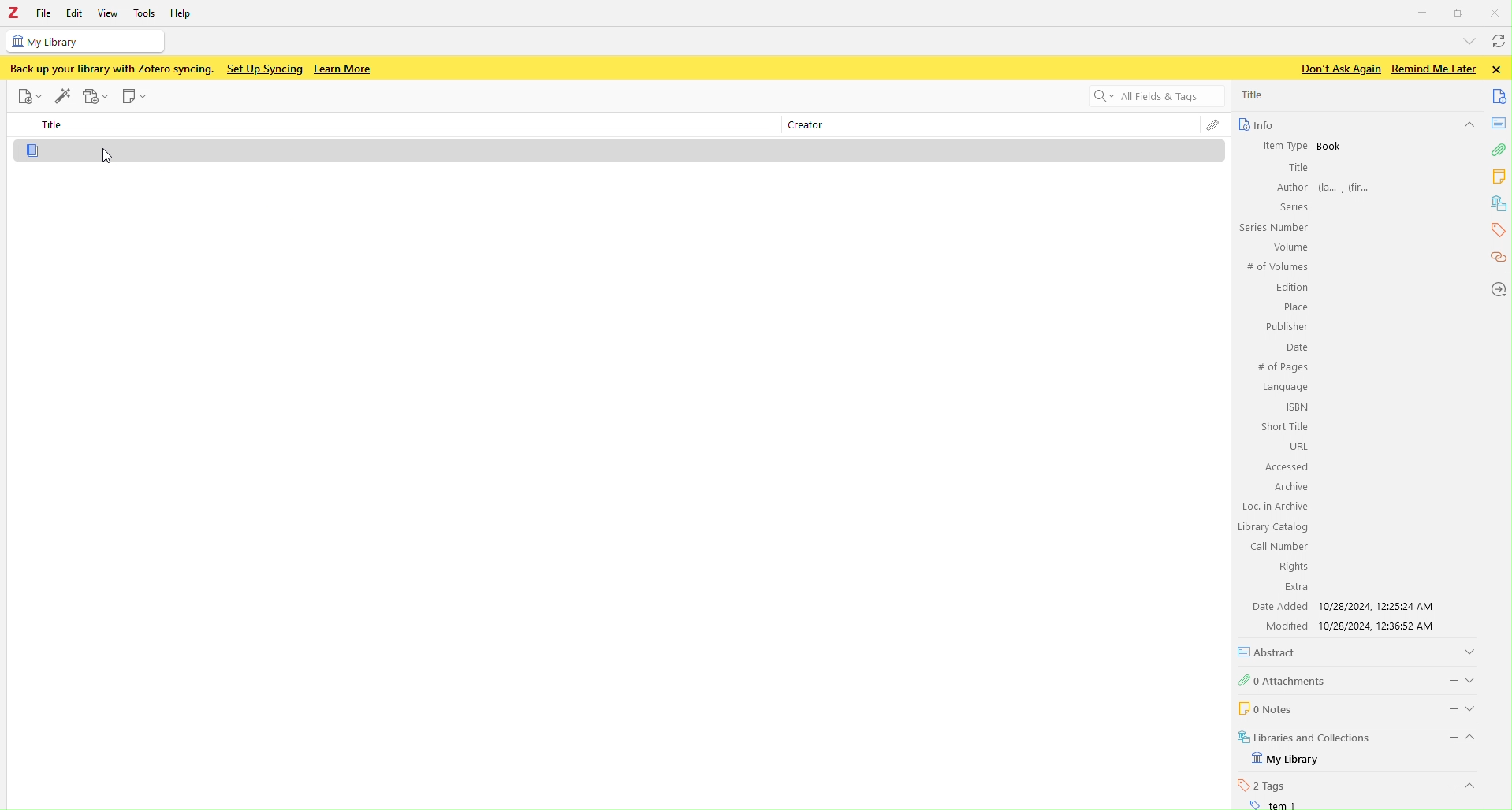 Image resolution: width=1512 pixels, height=810 pixels. I want to click on FIle, so click(44, 13).